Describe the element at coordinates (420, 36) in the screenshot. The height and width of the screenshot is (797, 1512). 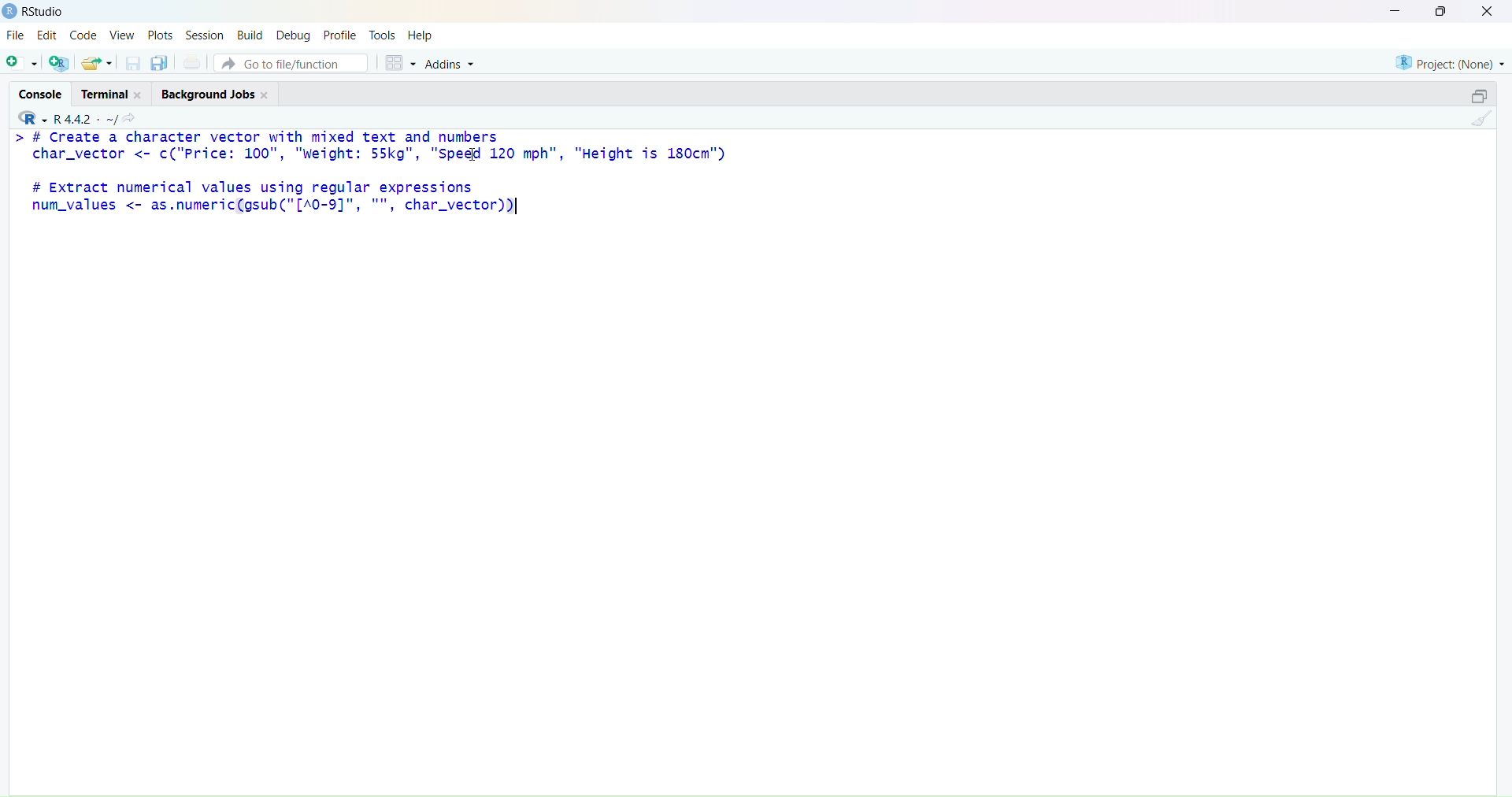
I see `help` at that location.